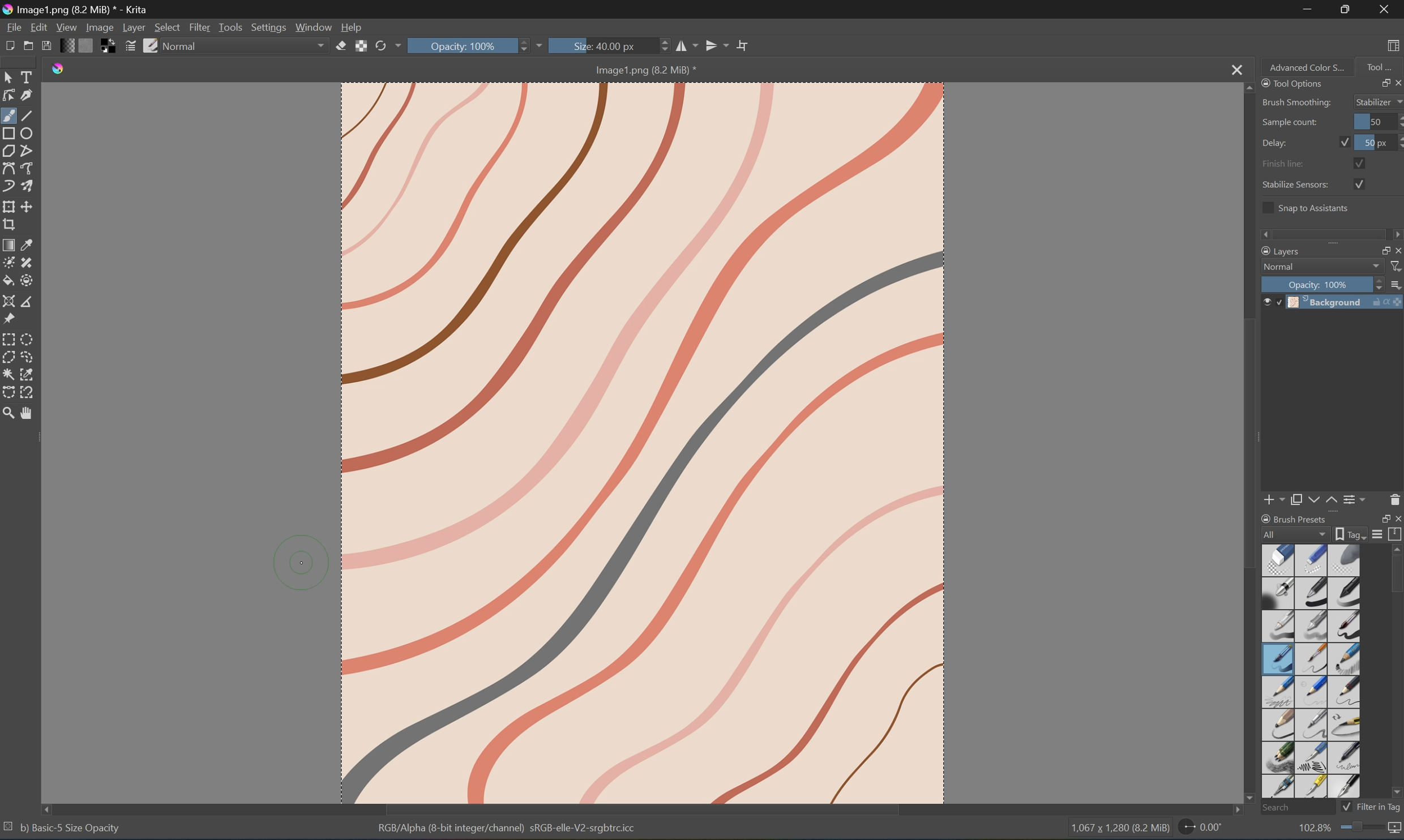 This screenshot has height=840, width=1404. I want to click on Reload original preset, so click(380, 46).